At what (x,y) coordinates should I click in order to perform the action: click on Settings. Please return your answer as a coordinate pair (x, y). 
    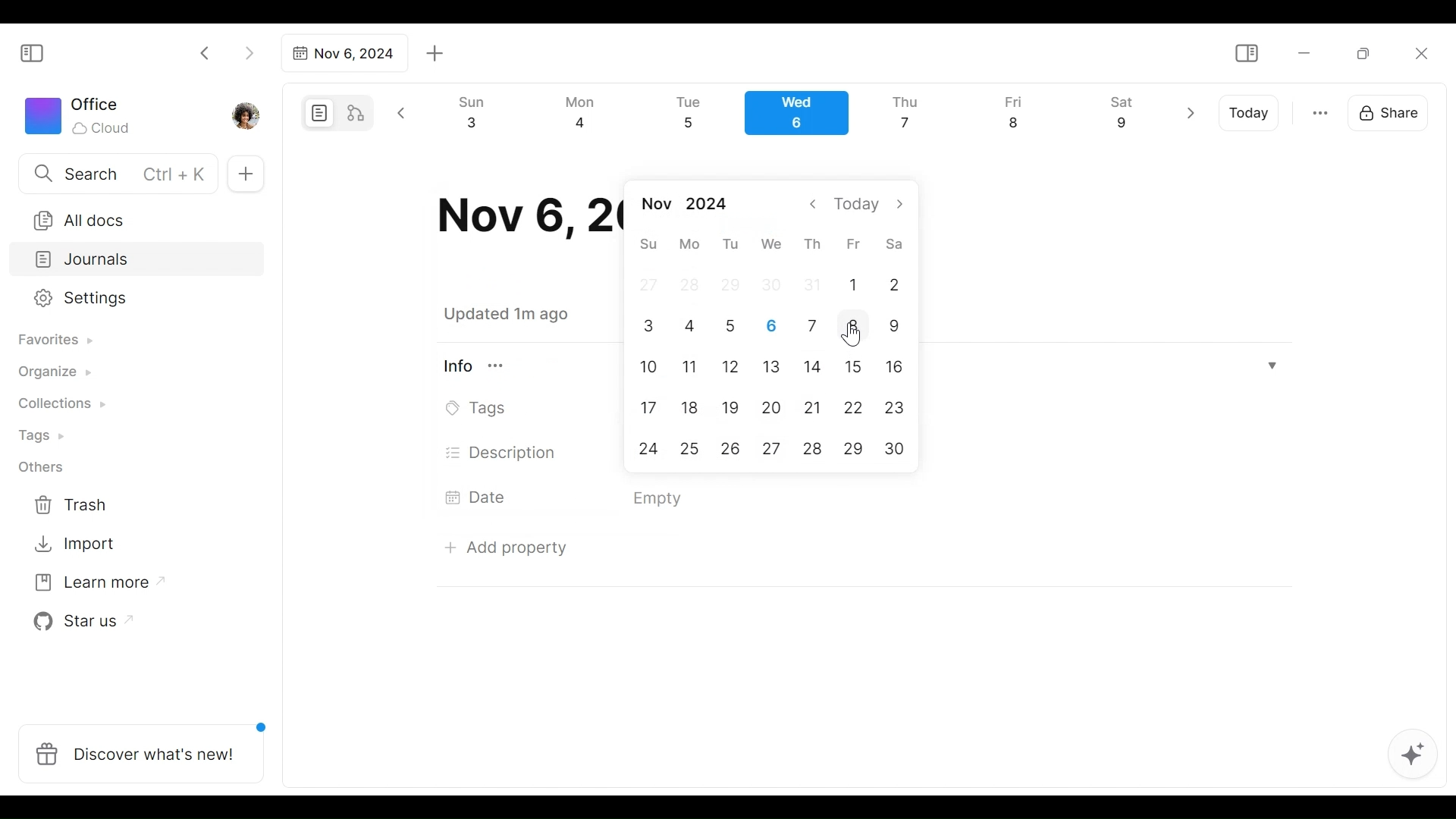
    Looking at the image, I should click on (125, 299).